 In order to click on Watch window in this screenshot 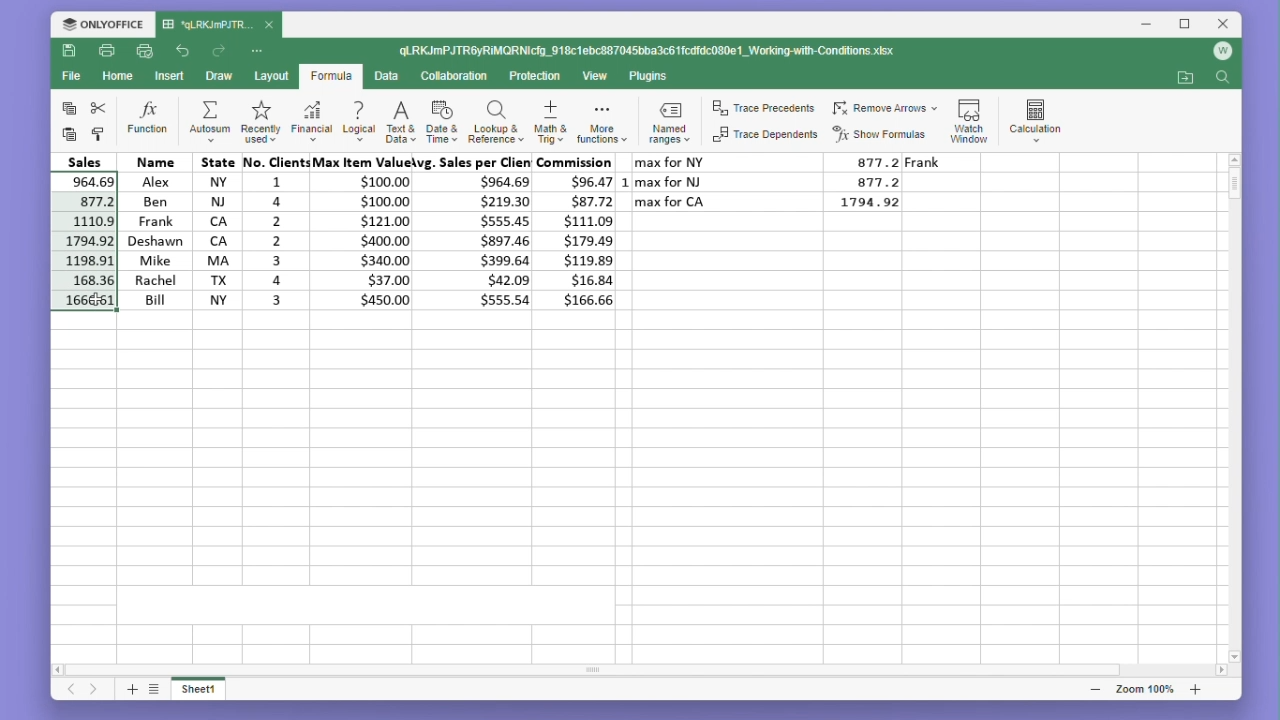, I will do `click(970, 118)`.